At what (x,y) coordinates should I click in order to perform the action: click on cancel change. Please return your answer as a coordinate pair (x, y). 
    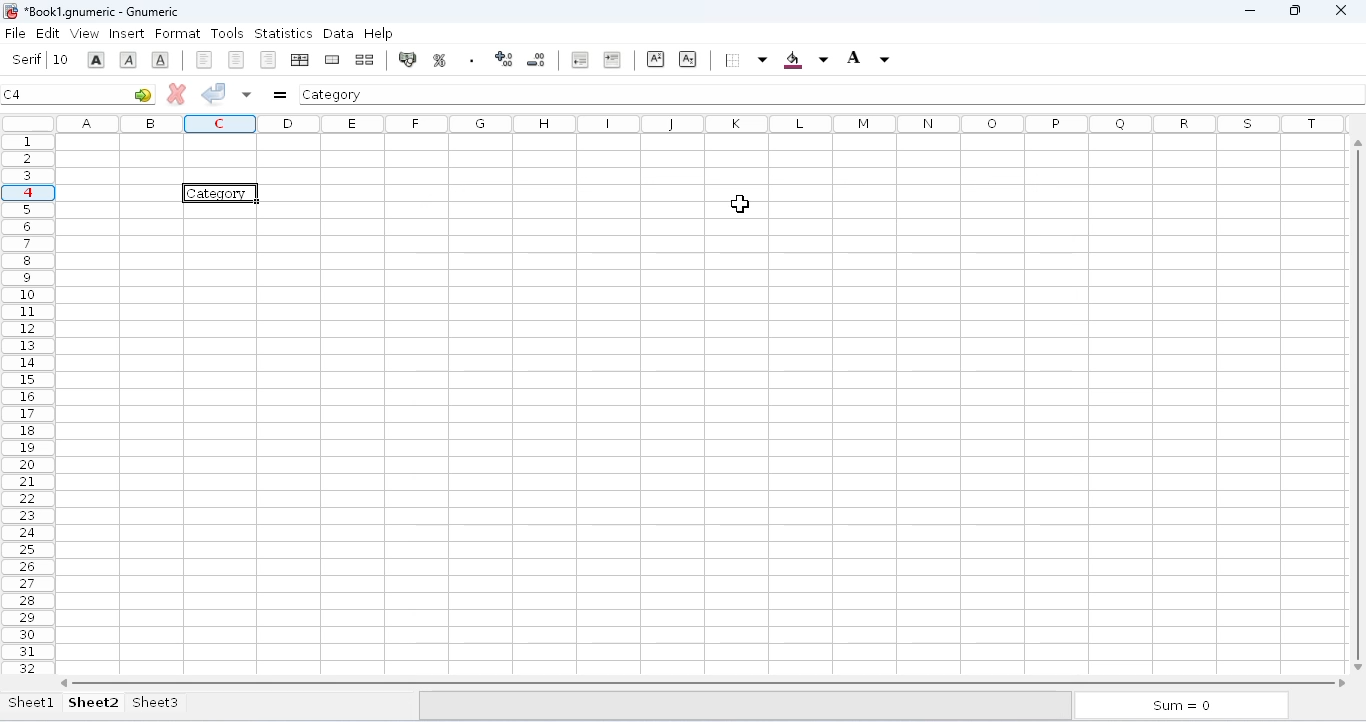
    Looking at the image, I should click on (177, 93).